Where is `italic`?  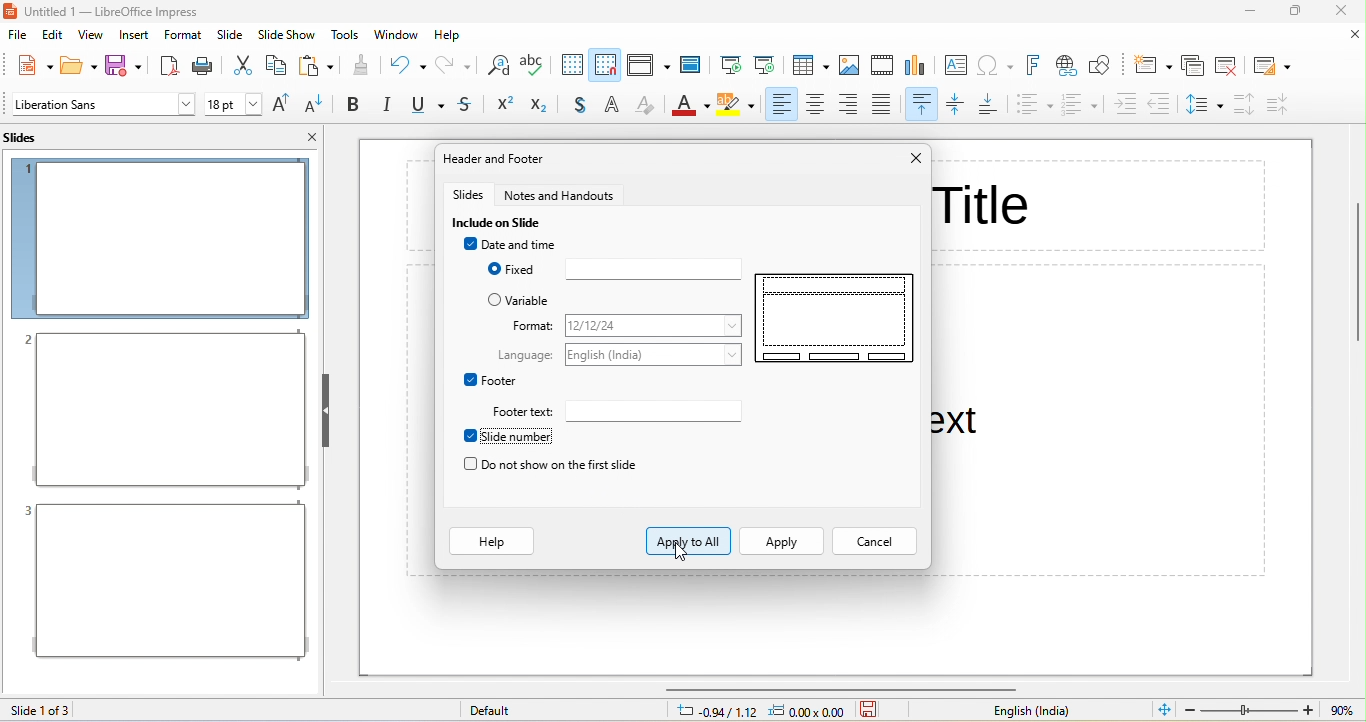
italic is located at coordinates (386, 105).